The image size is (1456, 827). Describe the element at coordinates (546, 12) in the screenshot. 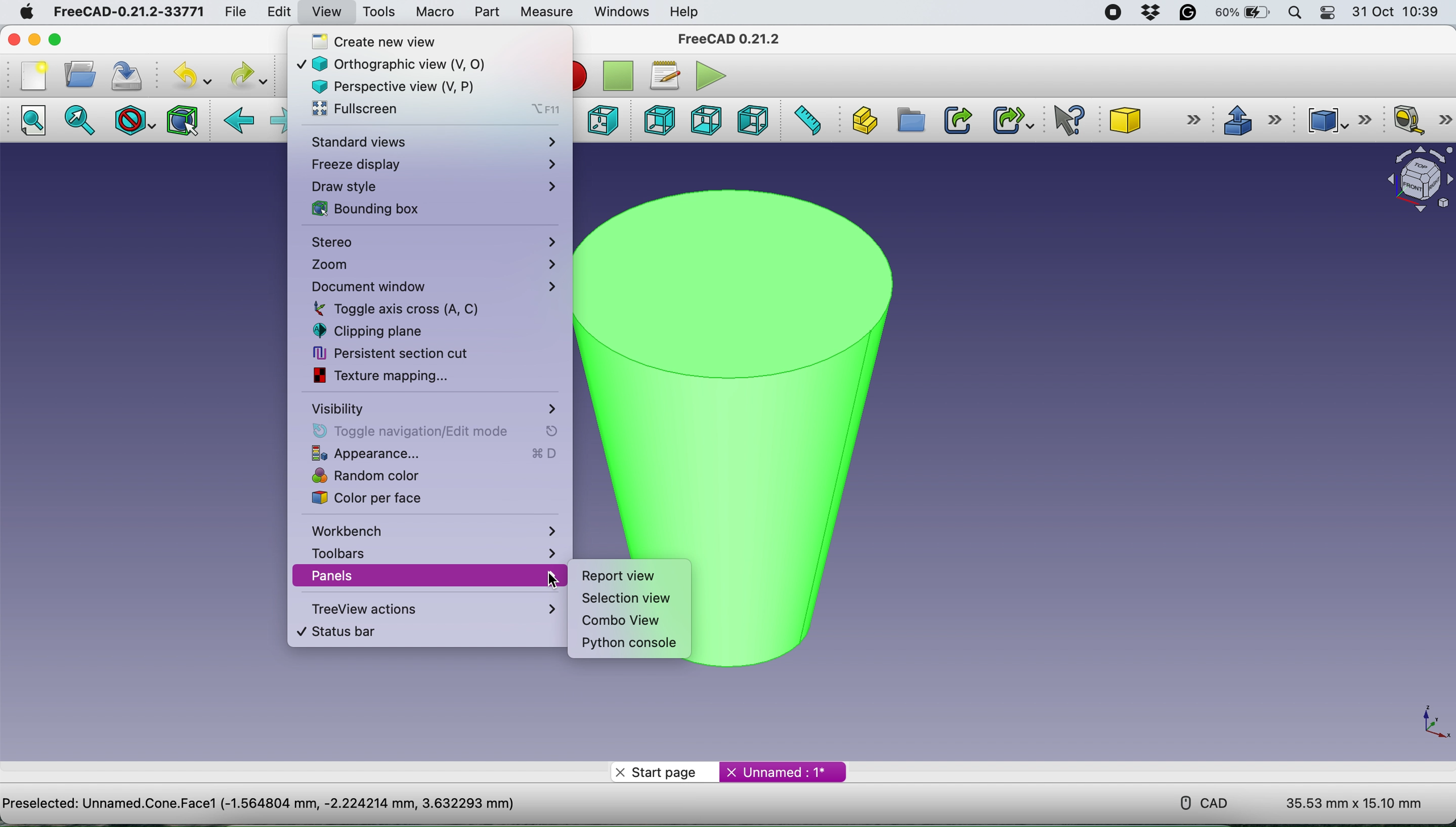

I see `measure` at that location.